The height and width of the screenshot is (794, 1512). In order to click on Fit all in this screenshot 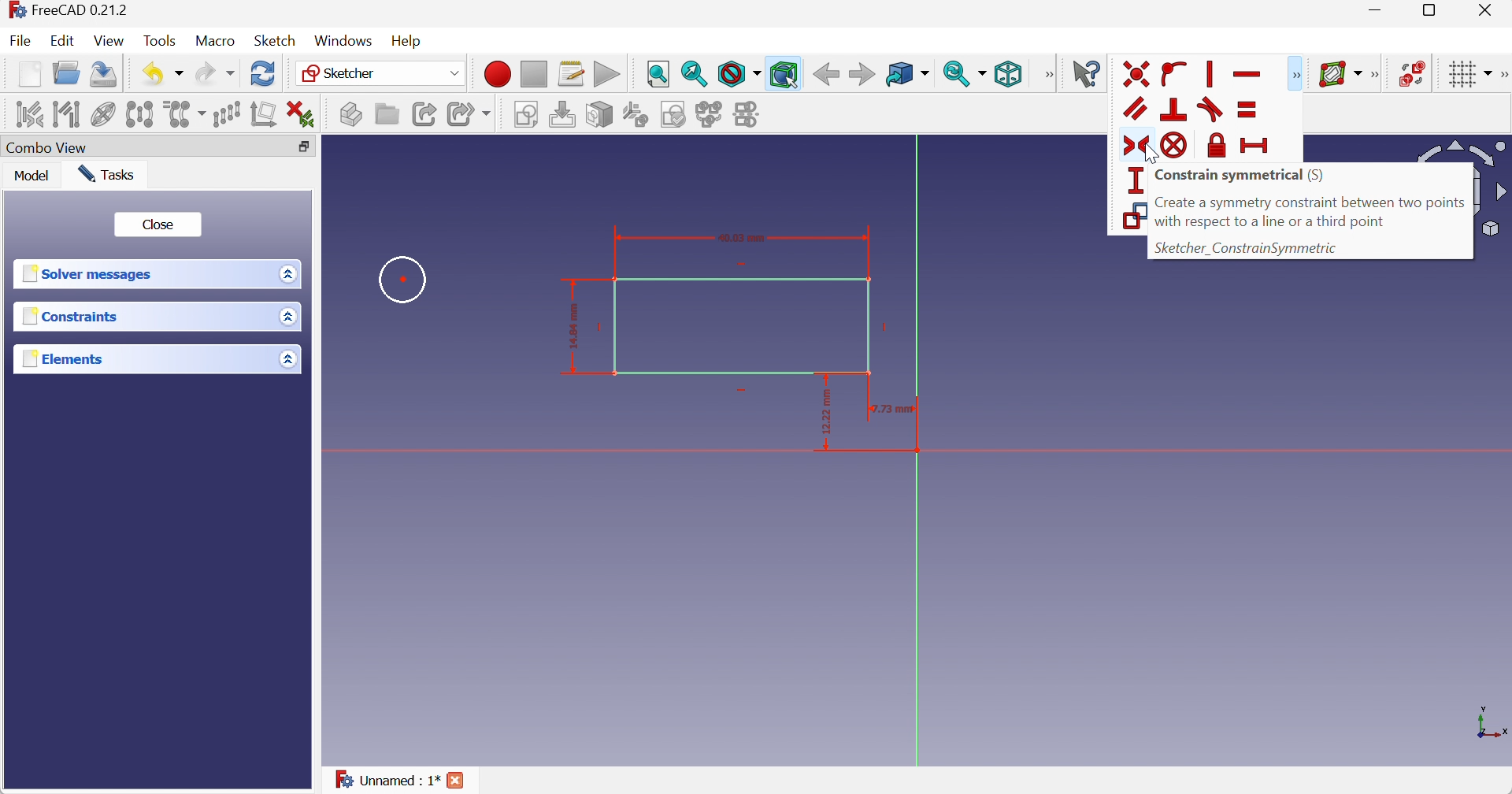, I will do `click(659, 75)`.